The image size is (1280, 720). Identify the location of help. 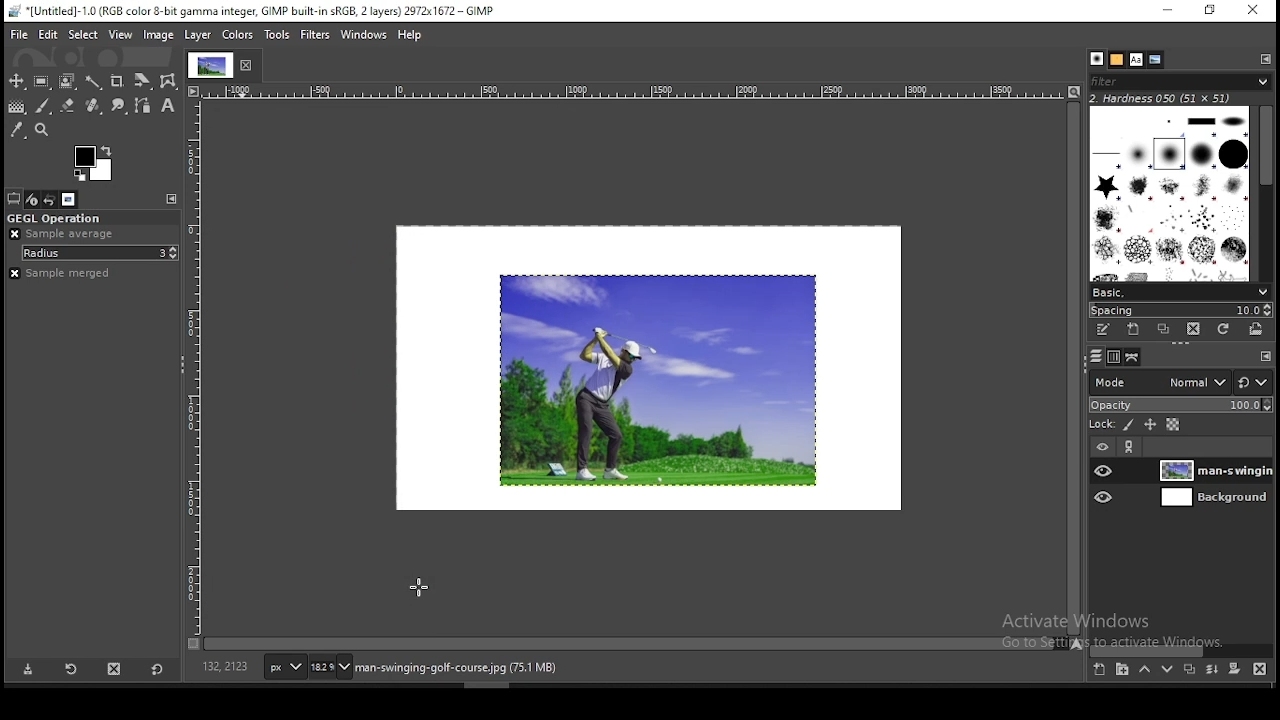
(411, 33).